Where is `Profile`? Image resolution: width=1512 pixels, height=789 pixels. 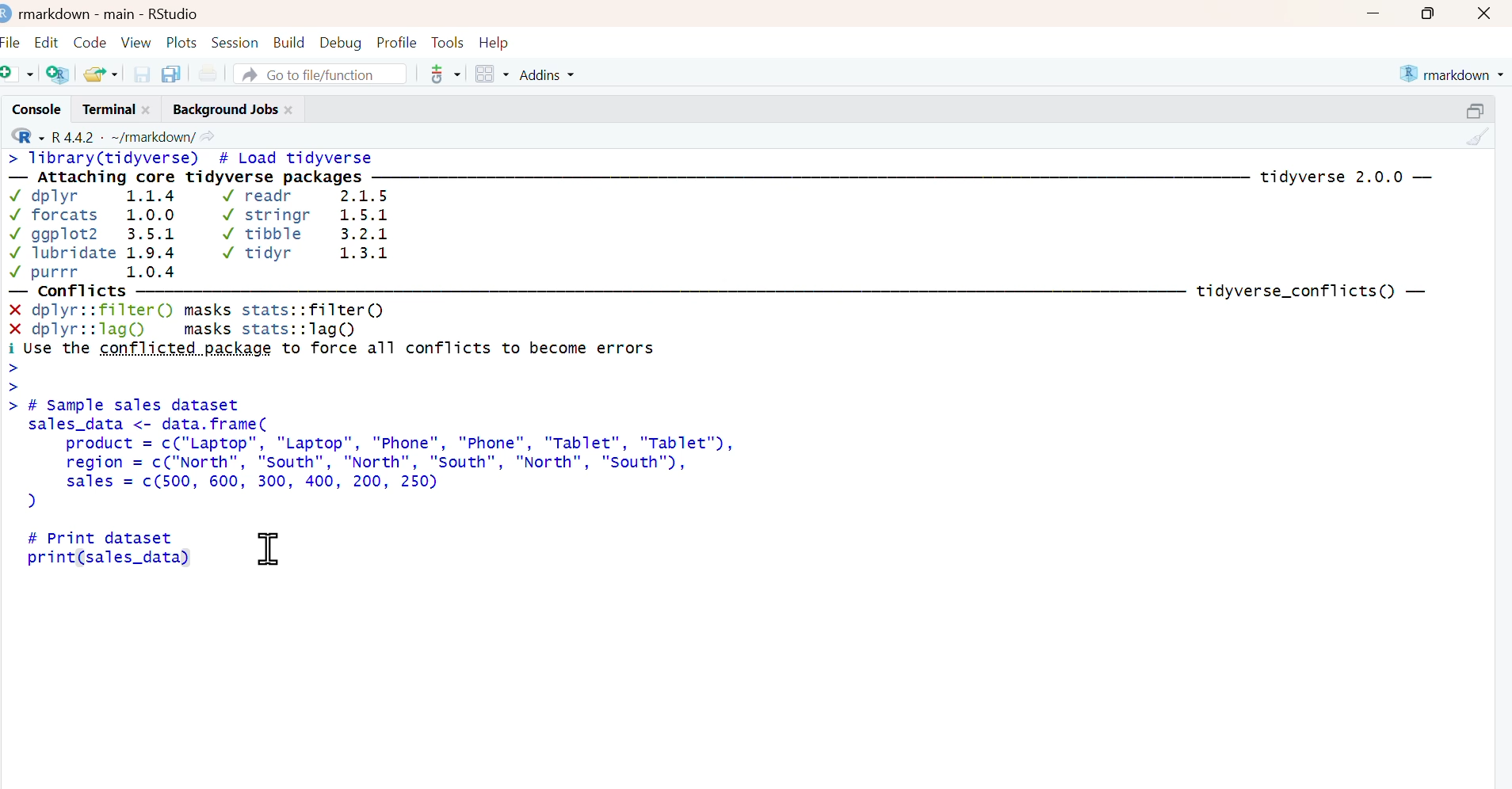 Profile is located at coordinates (396, 40).